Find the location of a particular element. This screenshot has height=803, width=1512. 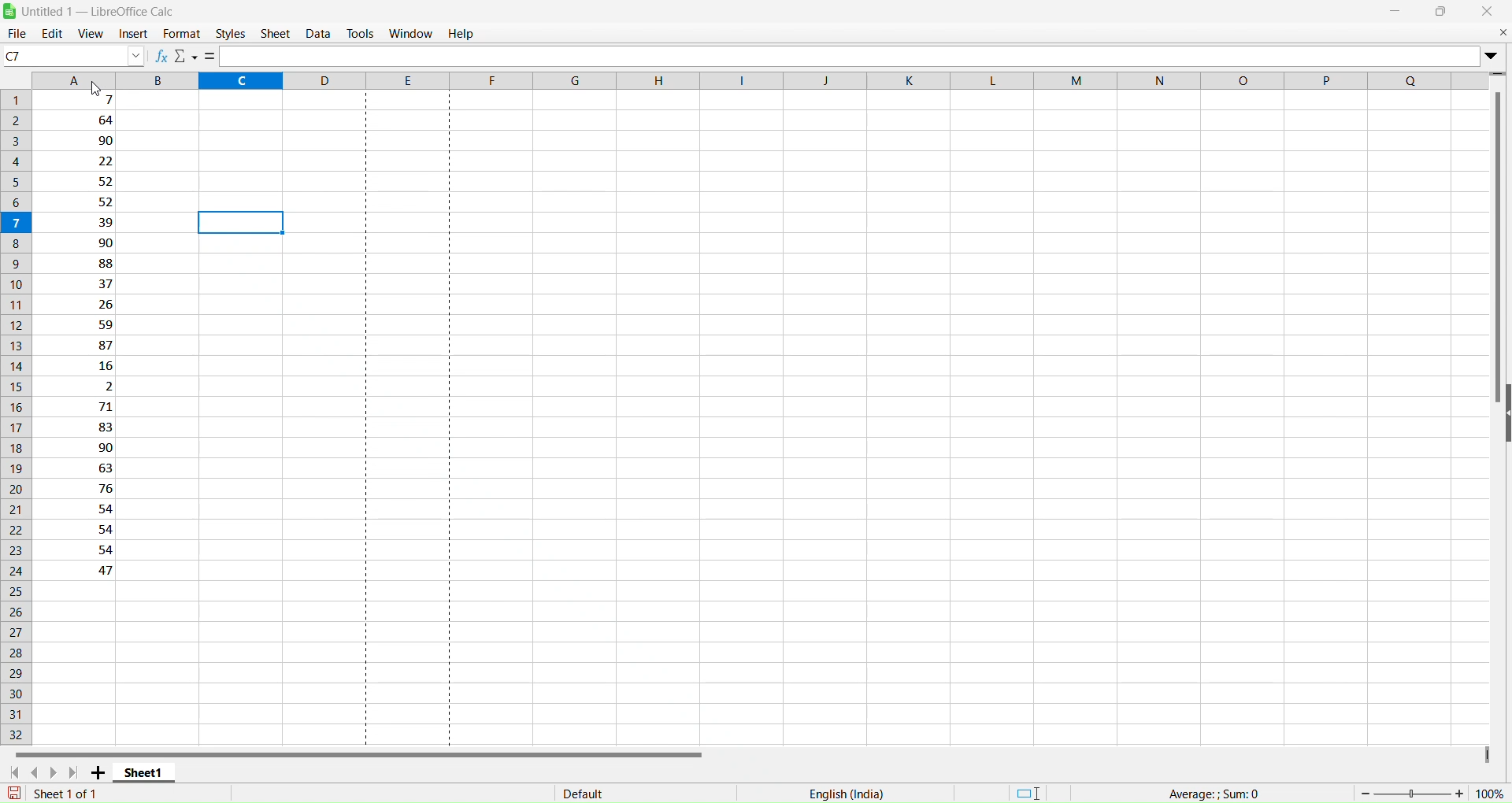

Window is located at coordinates (411, 31).